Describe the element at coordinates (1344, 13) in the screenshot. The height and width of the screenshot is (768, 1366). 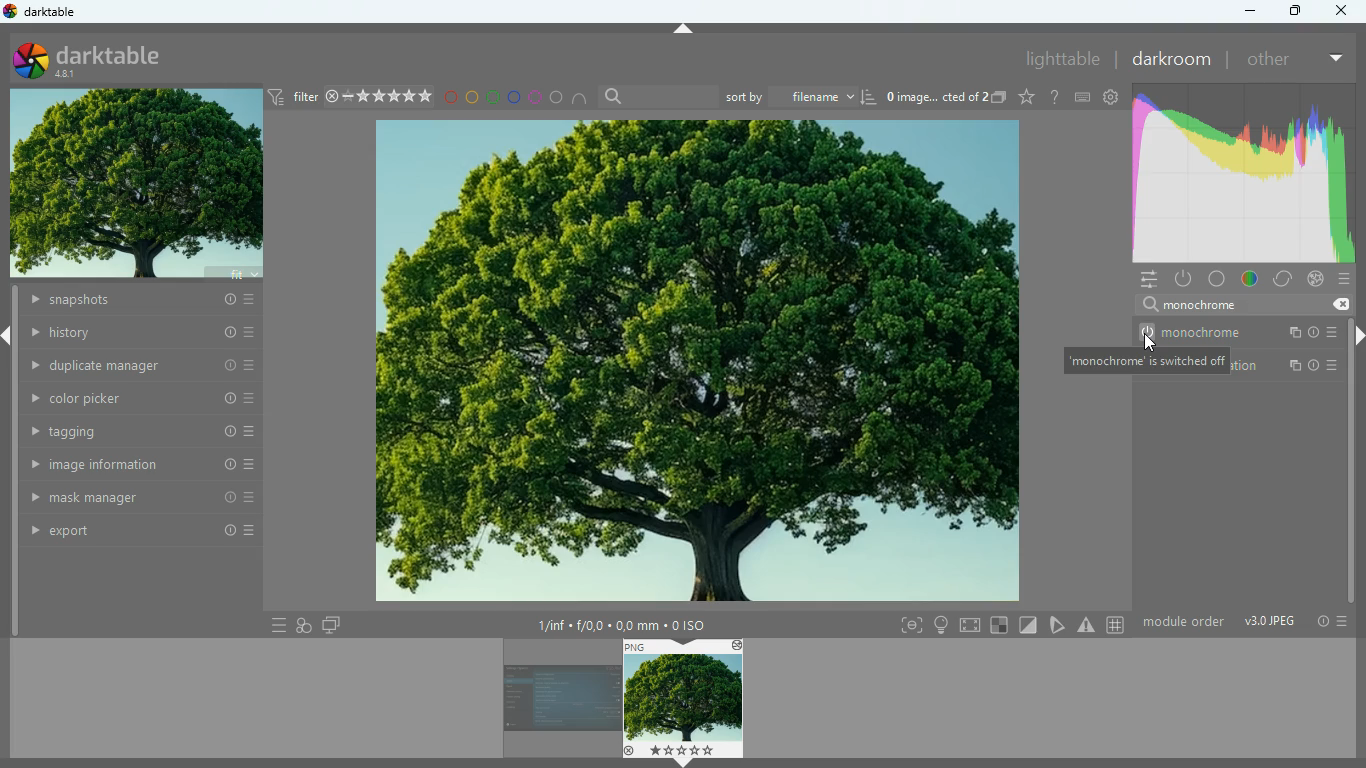
I see `` at that location.